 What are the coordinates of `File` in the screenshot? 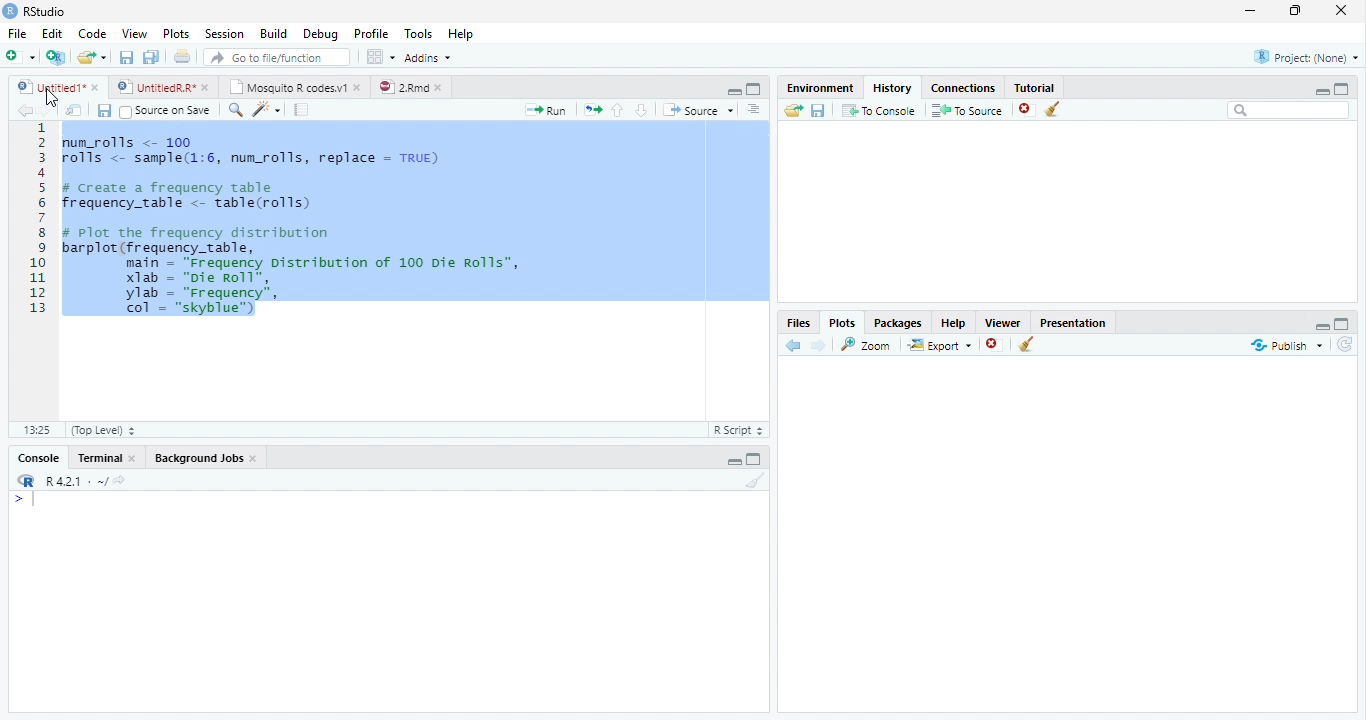 It's located at (18, 31).